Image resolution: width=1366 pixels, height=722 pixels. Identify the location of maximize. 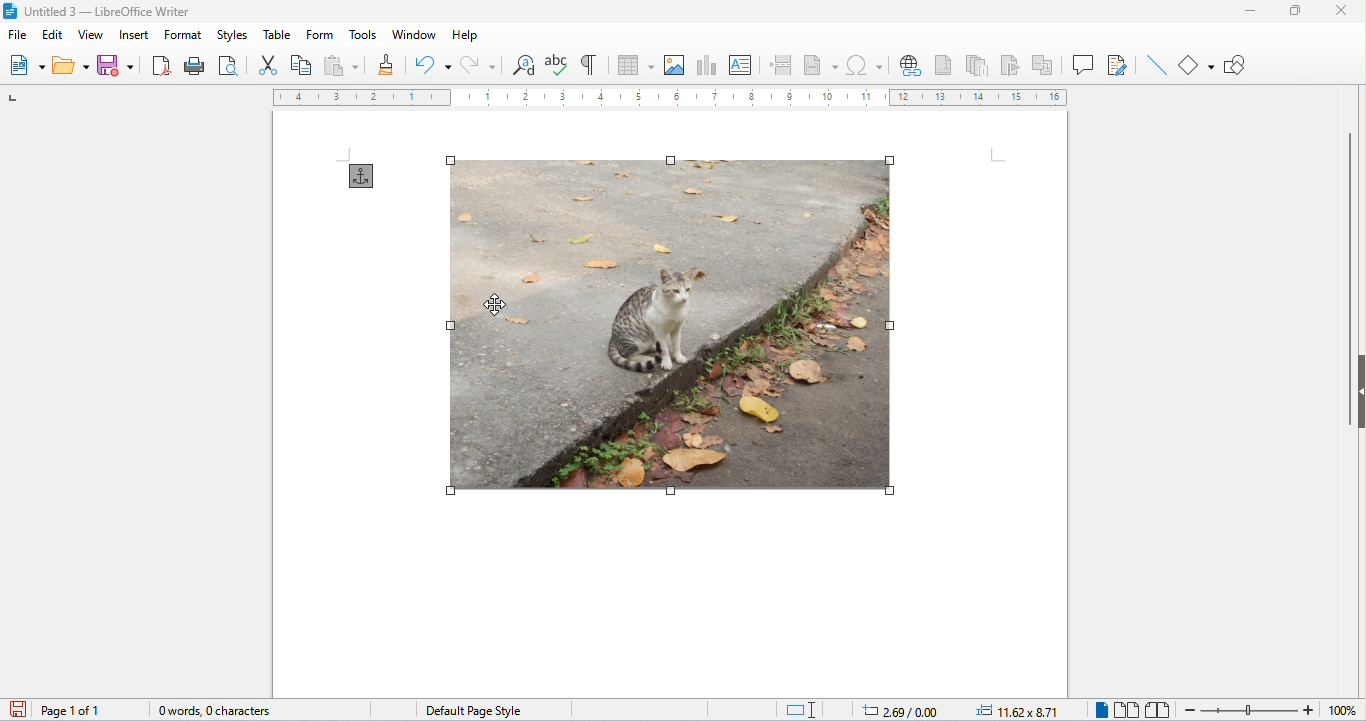
(1293, 12).